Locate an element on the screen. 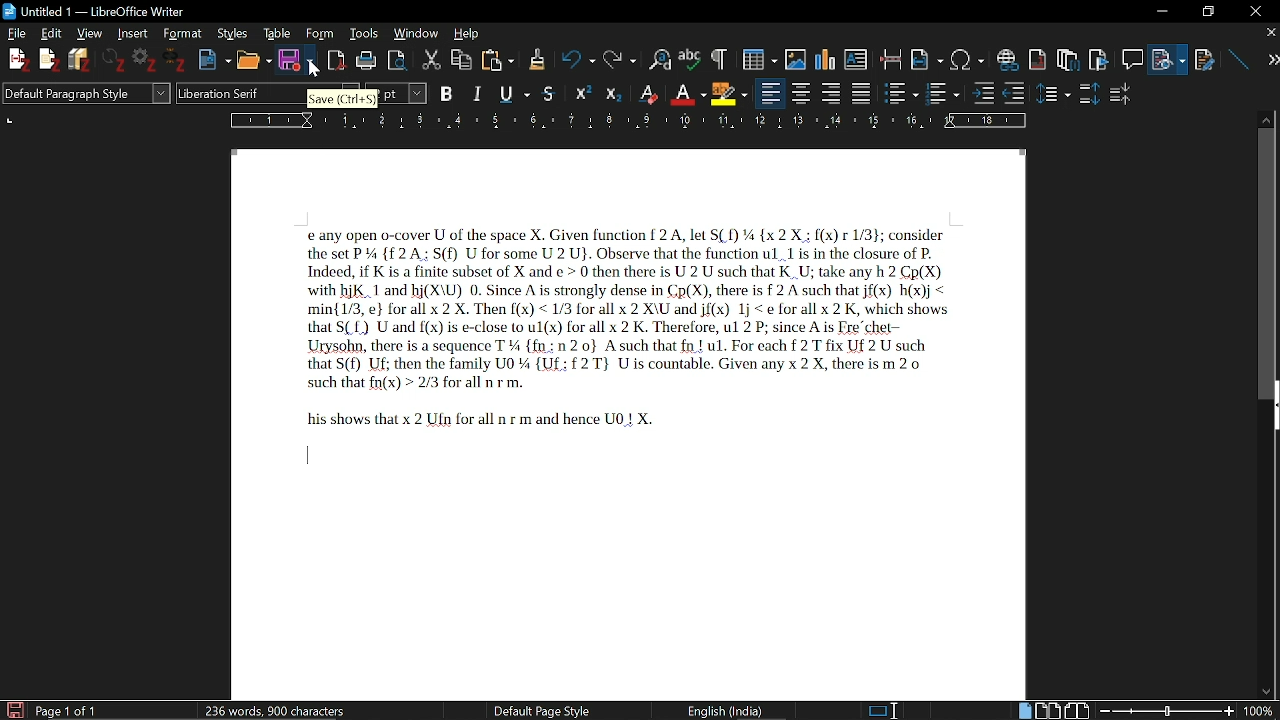 This screenshot has width=1280, height=720. Default Paragraph Style is located at coordinates (84, 95).